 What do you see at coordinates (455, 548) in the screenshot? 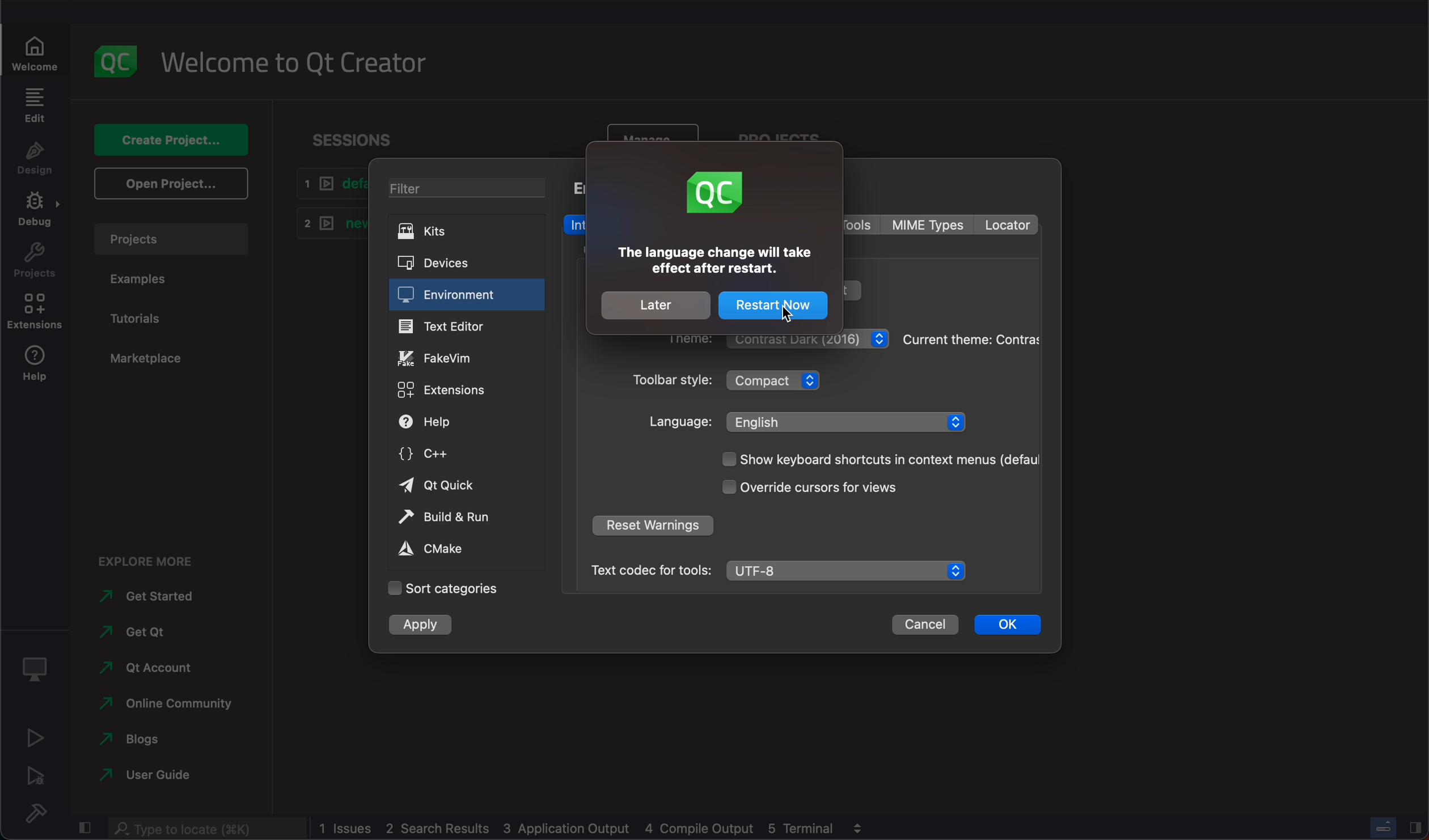
I see `cmake` at bounding box center [455, 548].